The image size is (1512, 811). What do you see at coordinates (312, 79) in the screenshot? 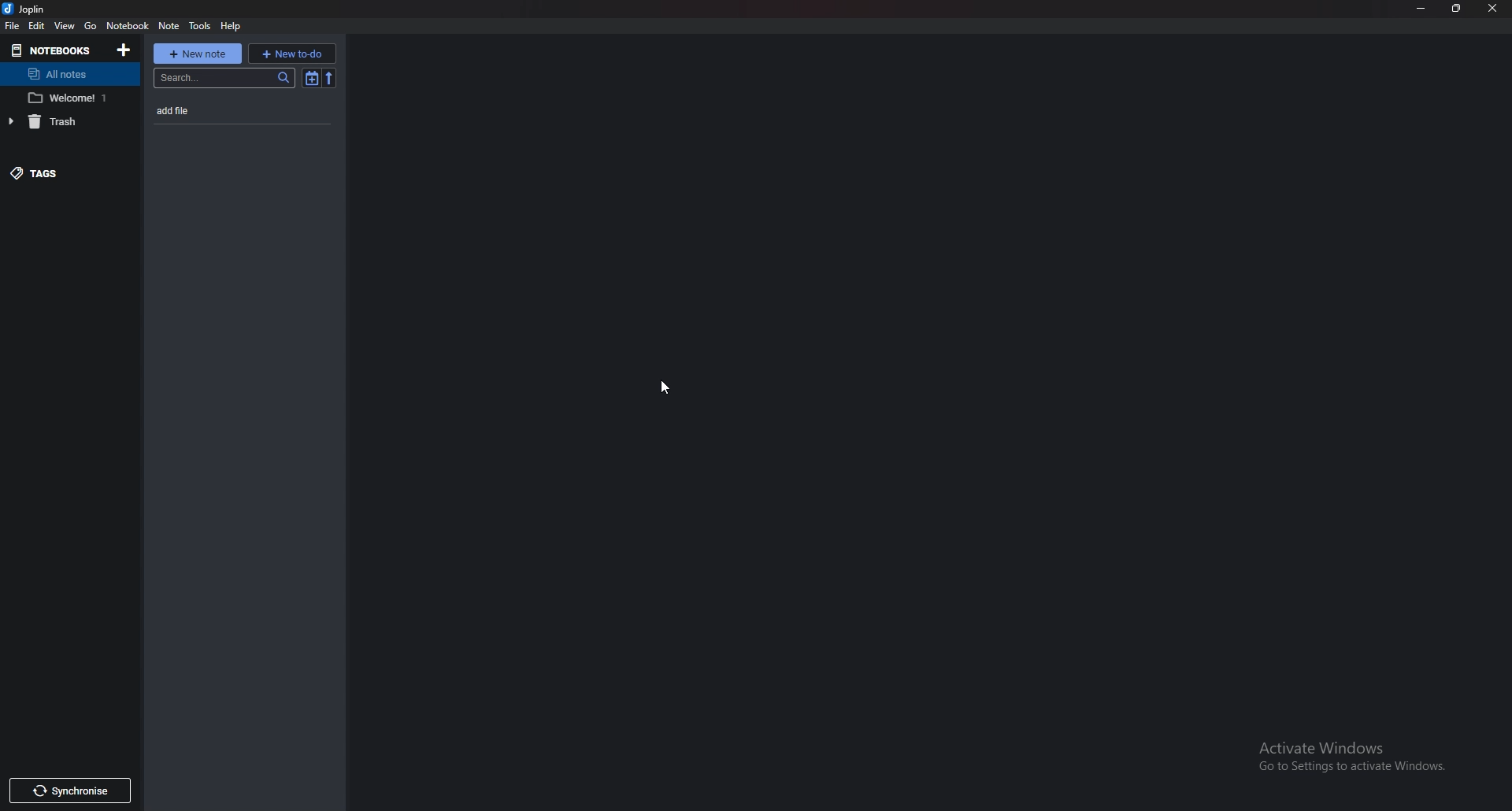
I see `Toggle sort order` at bounding box center [312, 79].